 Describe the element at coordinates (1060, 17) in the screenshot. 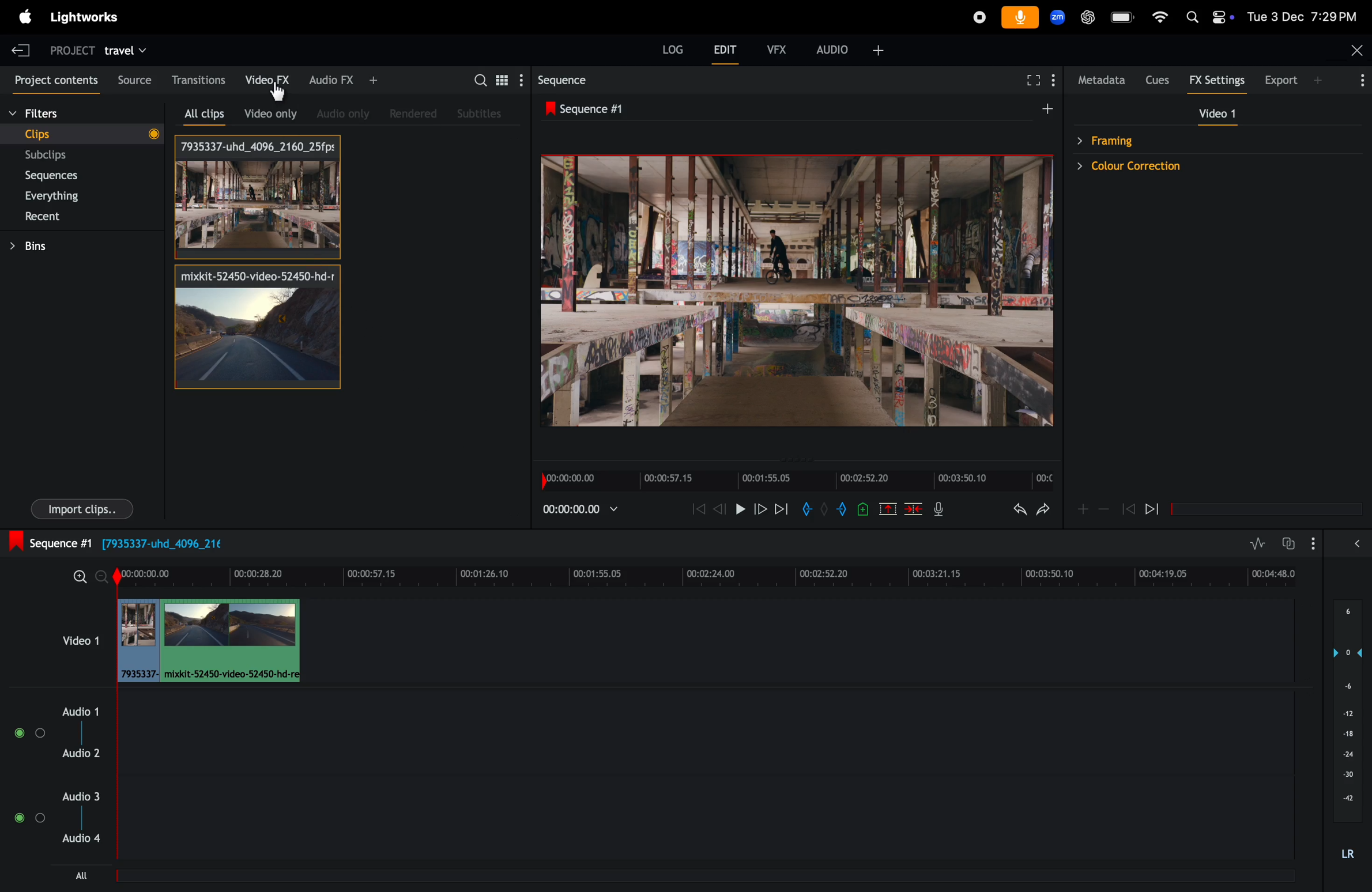

I see `Zoom` at that location.